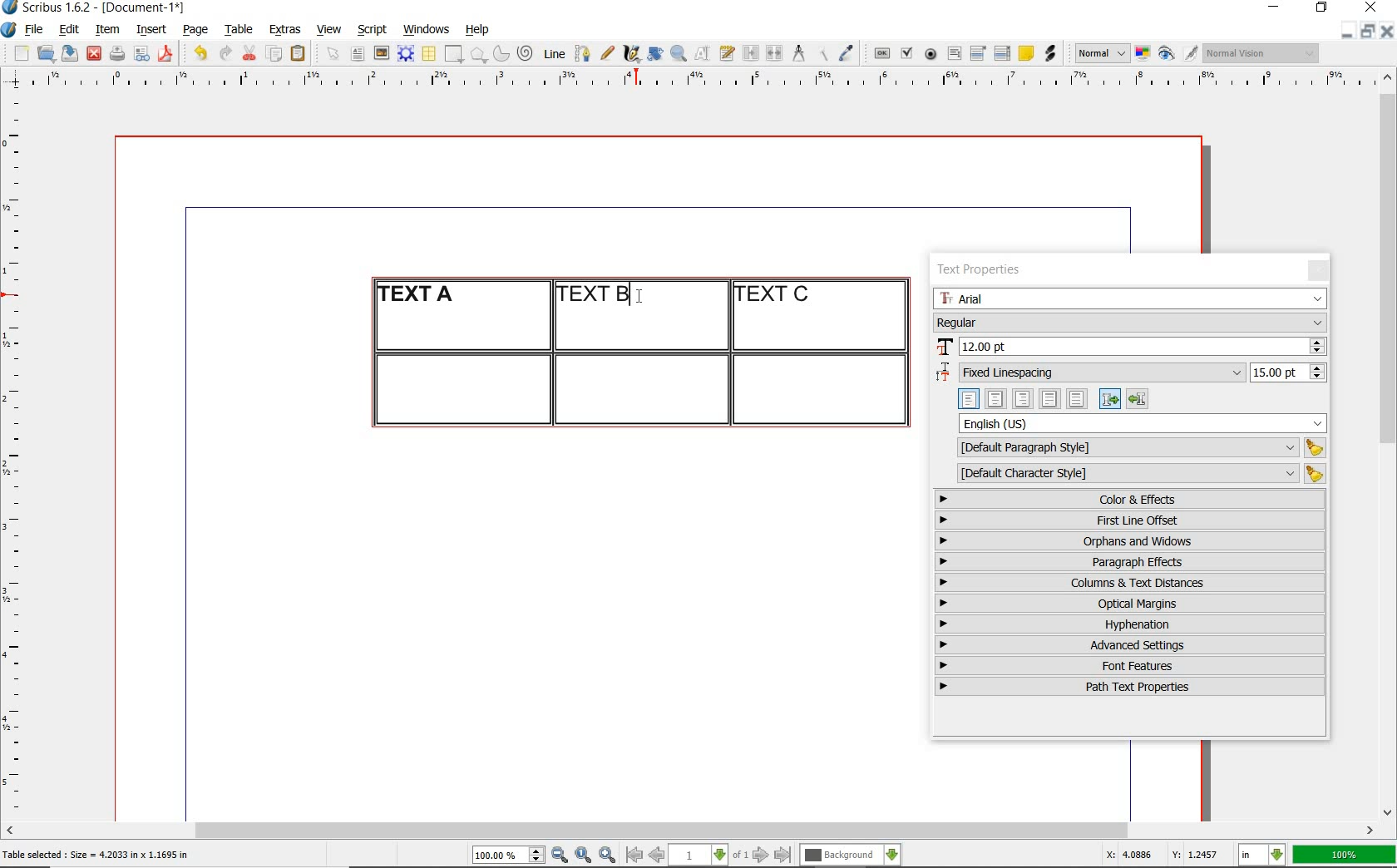  Describe the element at coordinates (727, 52) in the screenshot. I see `edit text with story editor` at that location.